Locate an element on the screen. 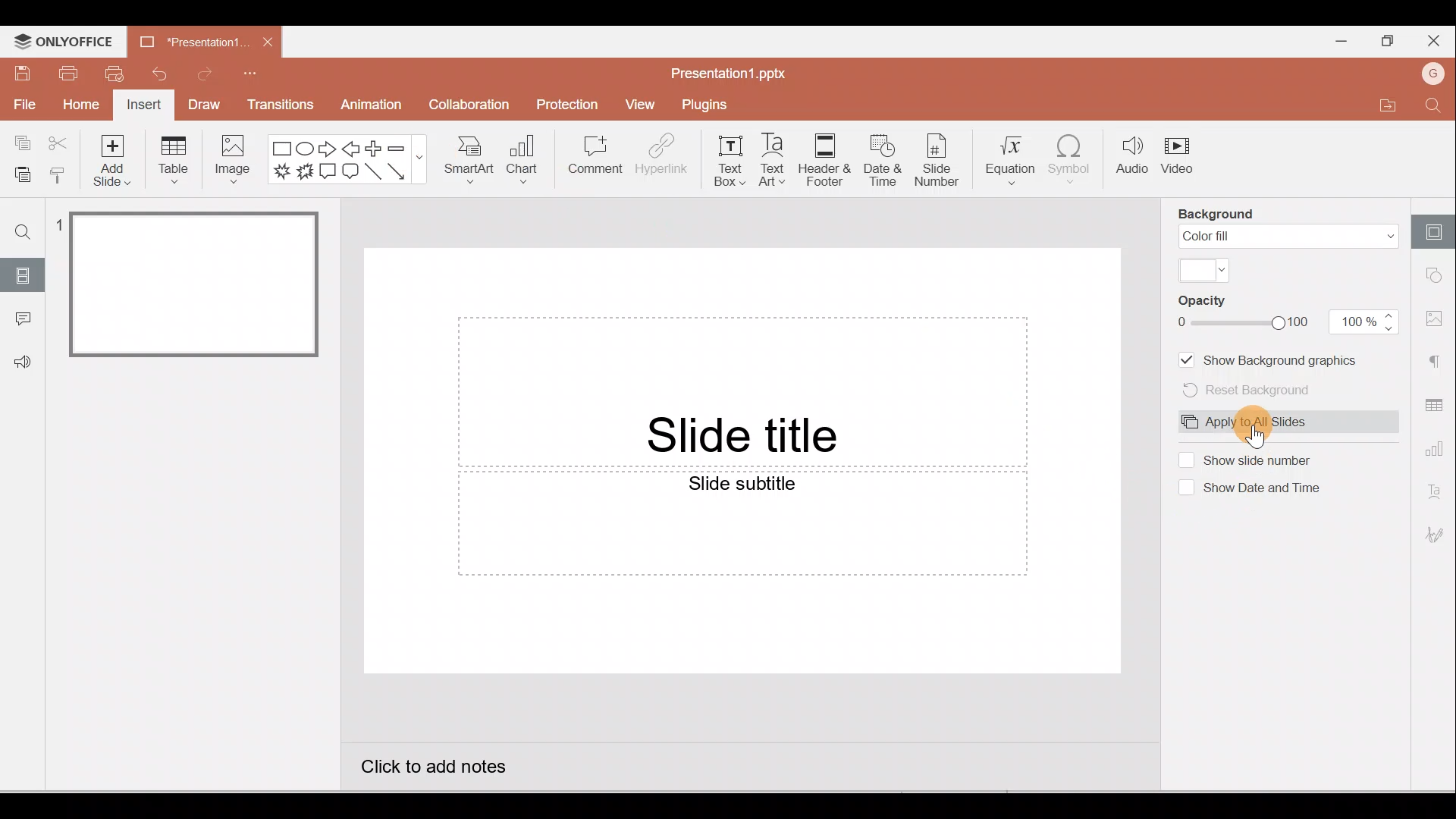  Minimise is located at coordinates (1336, 40).